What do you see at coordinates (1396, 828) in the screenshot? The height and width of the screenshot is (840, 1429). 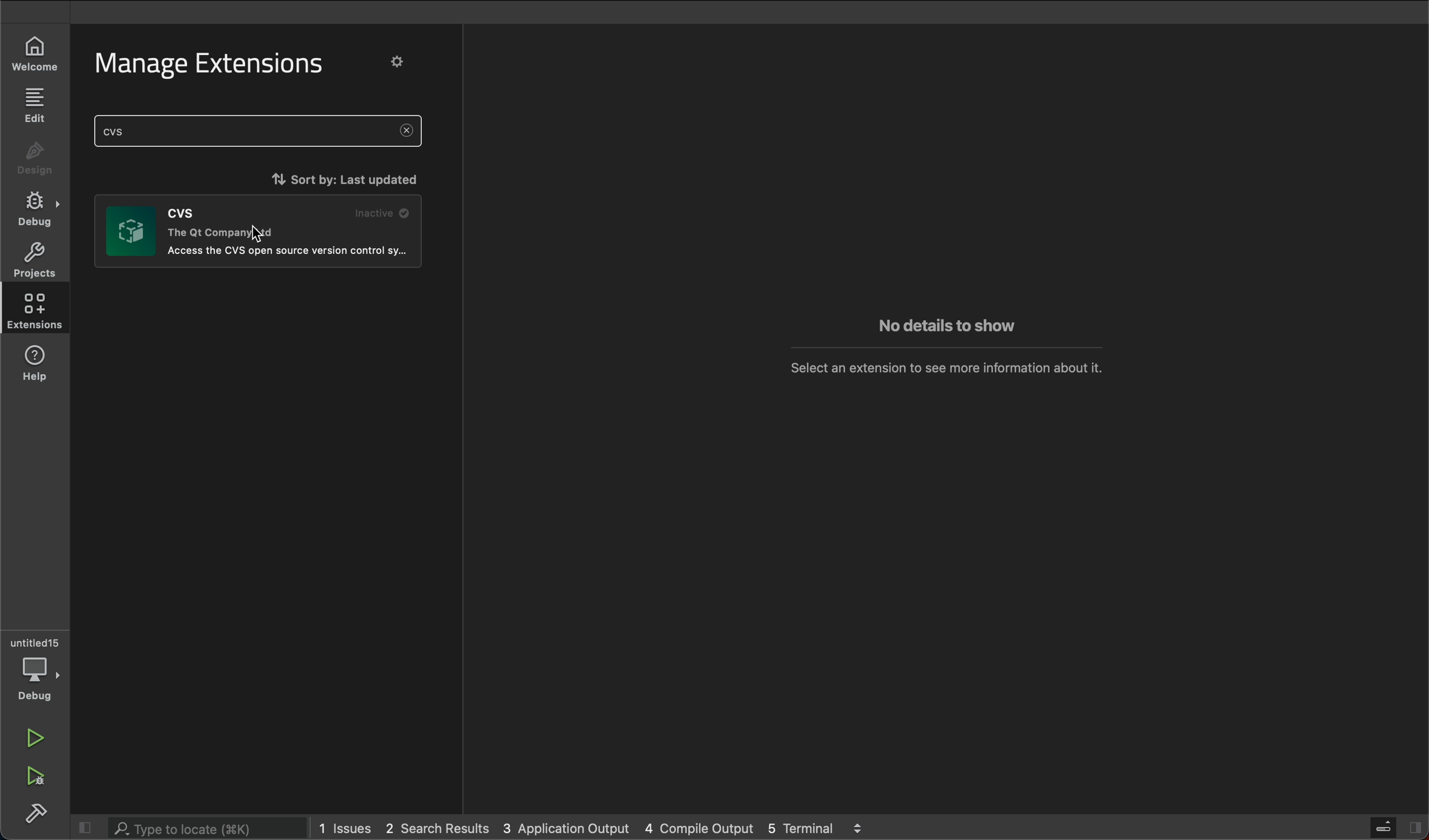 I see `open sidebar` at bounding box center [1396, 828].